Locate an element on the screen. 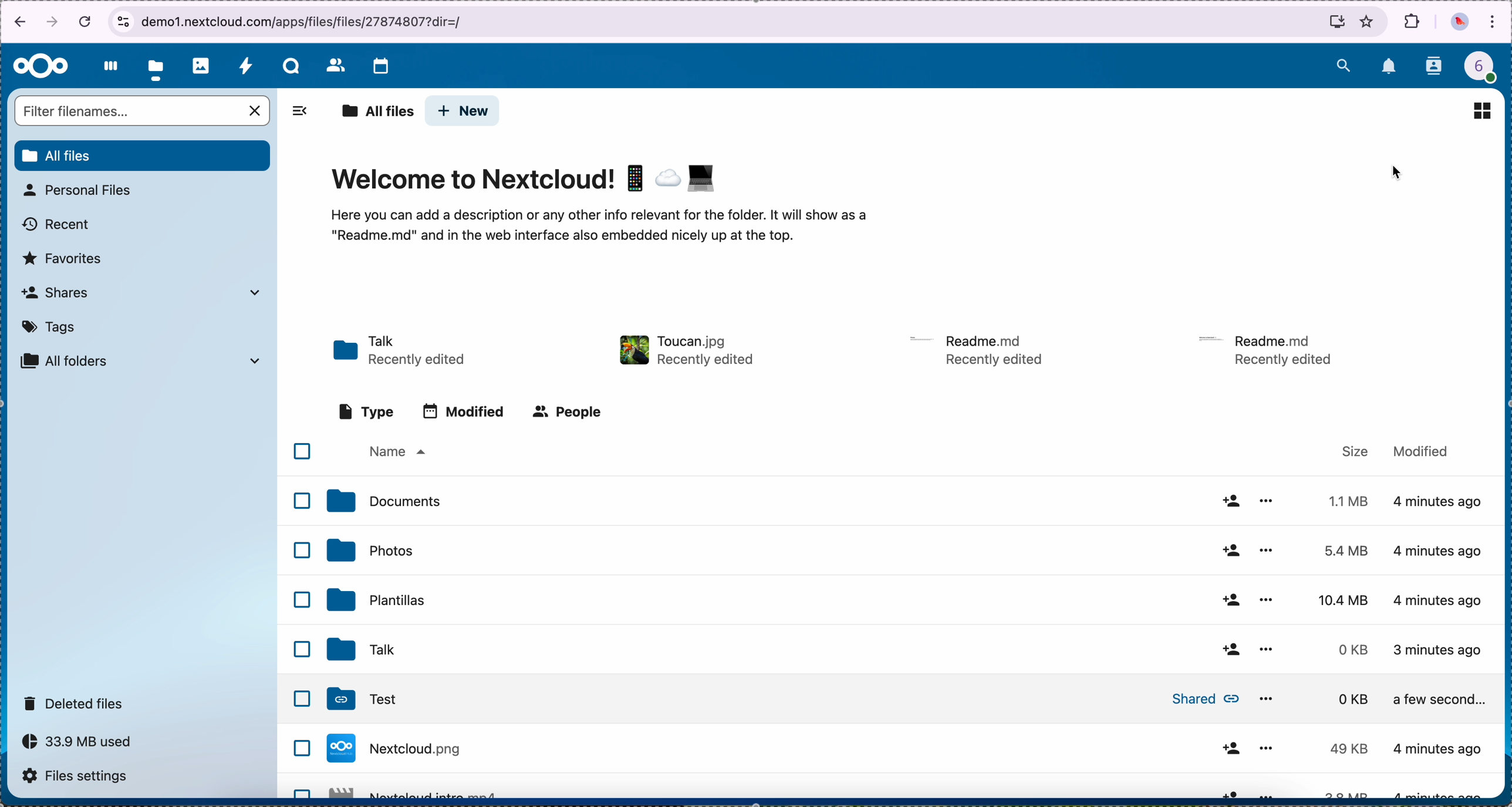 The width and height of the screenshot is (1512, 807). deleted files is located at coordinates (76, 703).